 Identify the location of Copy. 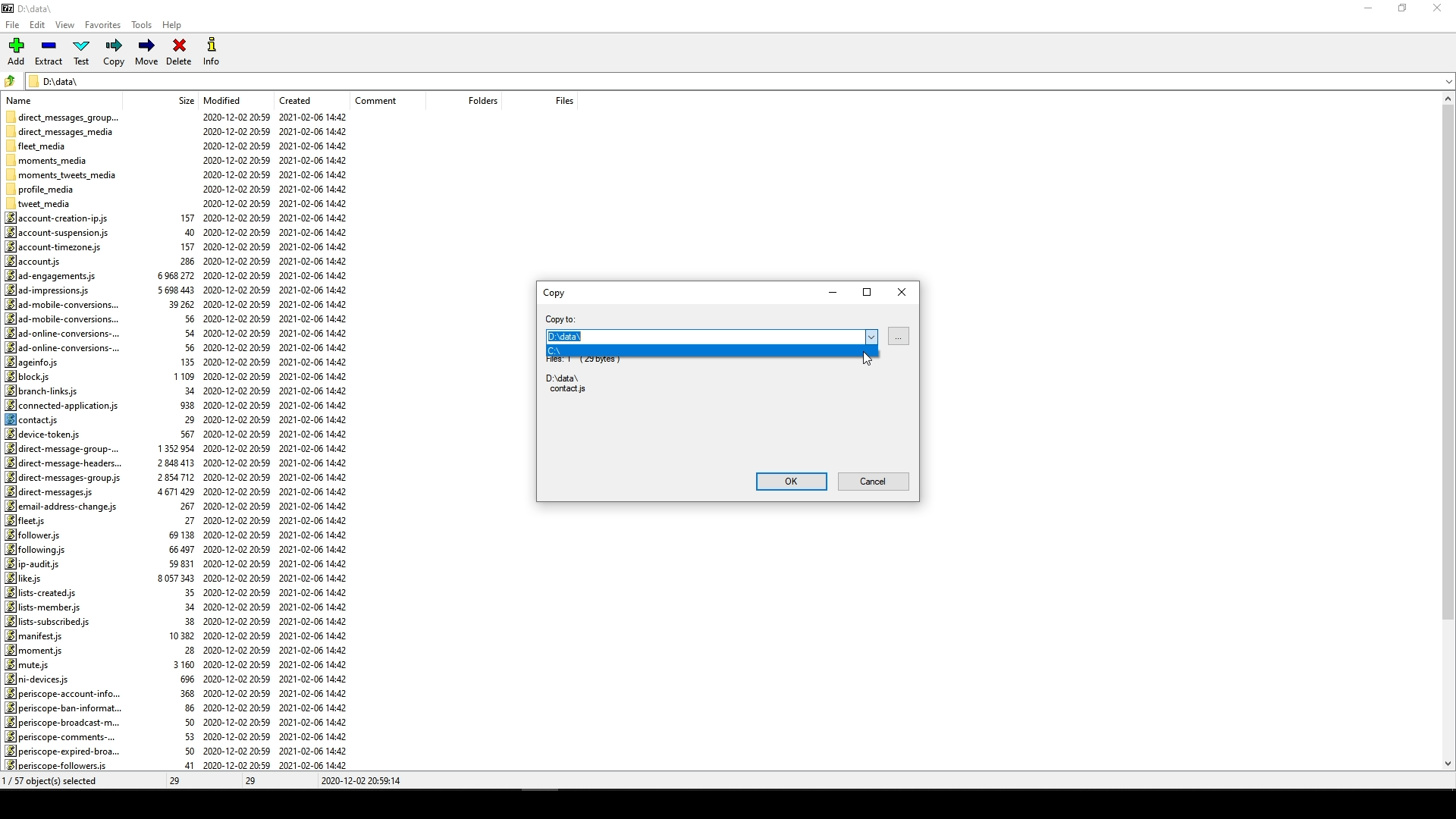
(554, 292).